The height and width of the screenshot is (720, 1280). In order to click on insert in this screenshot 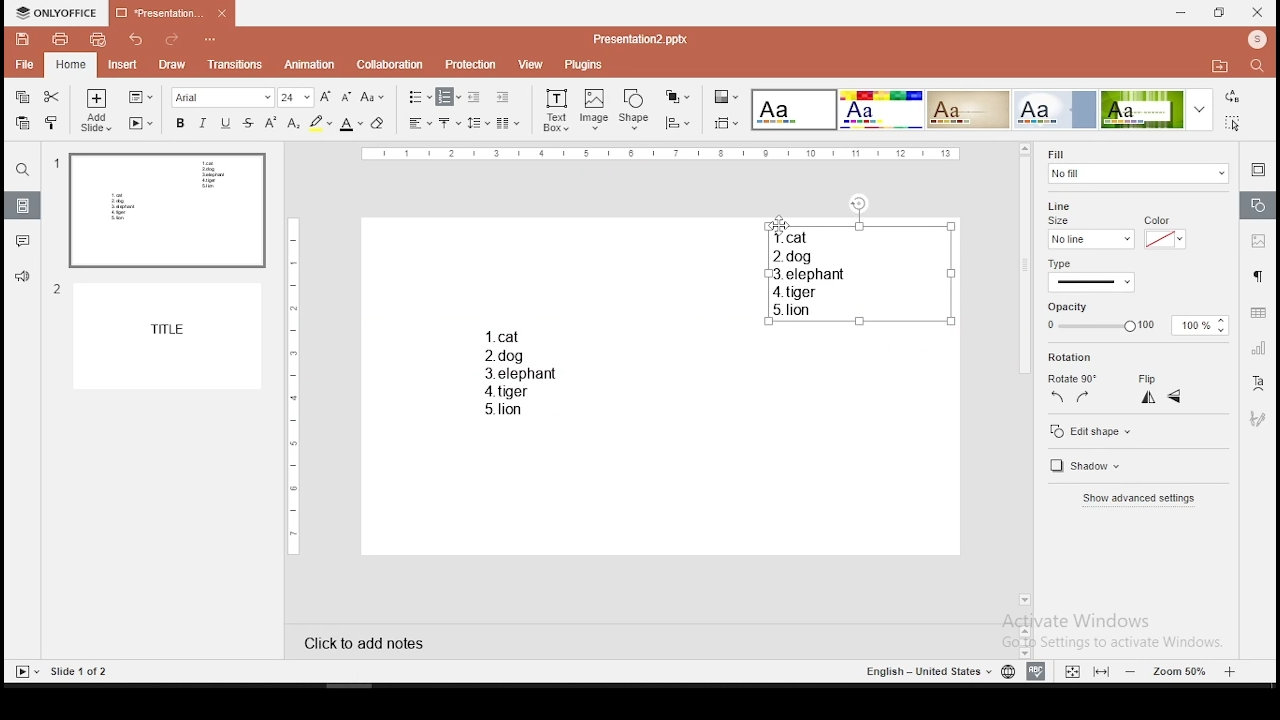, I will do `click(121, 64)`.